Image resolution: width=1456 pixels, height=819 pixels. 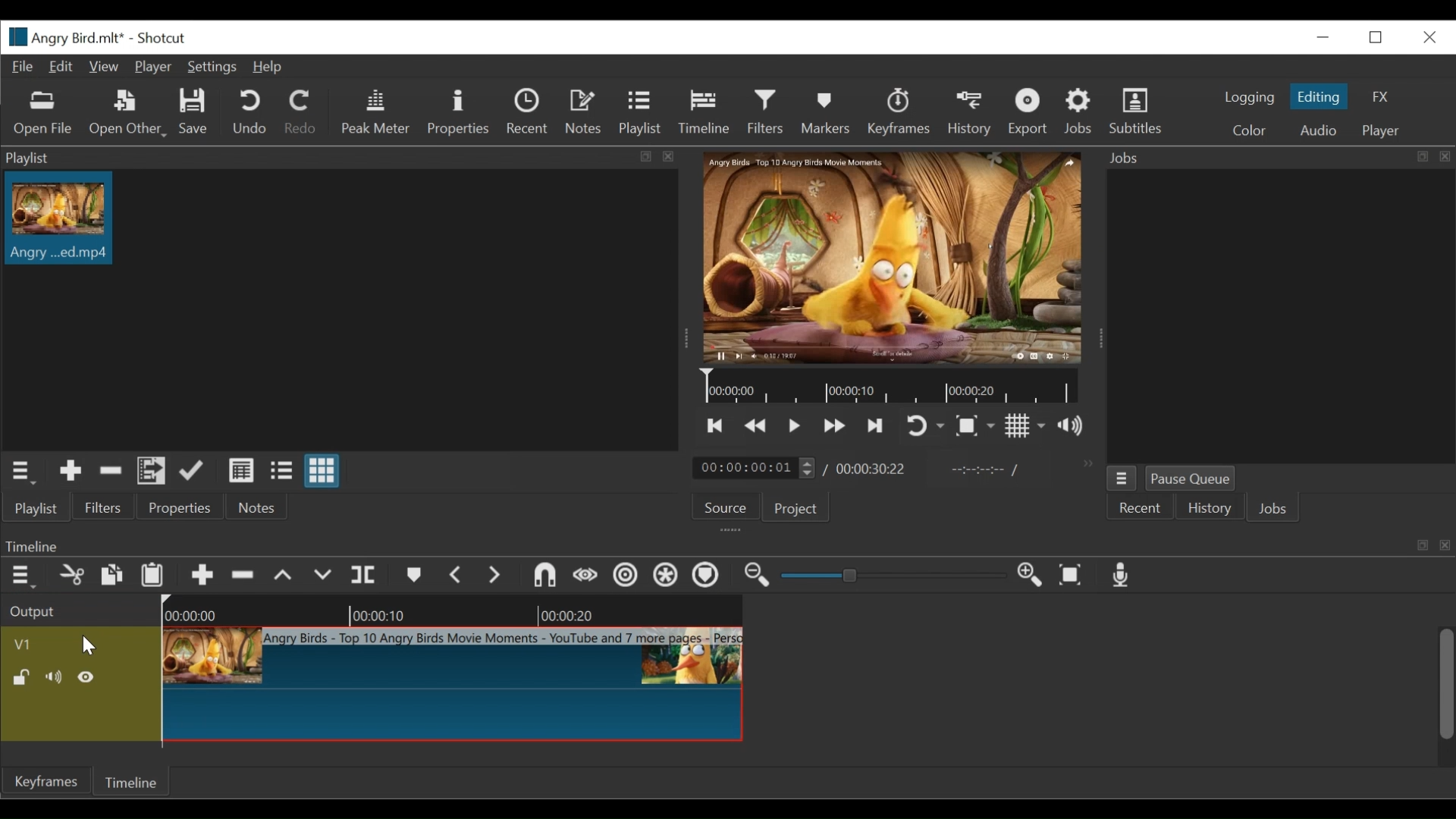 I want to click on Toggle grid display on player, so click(x=1026, y=427).